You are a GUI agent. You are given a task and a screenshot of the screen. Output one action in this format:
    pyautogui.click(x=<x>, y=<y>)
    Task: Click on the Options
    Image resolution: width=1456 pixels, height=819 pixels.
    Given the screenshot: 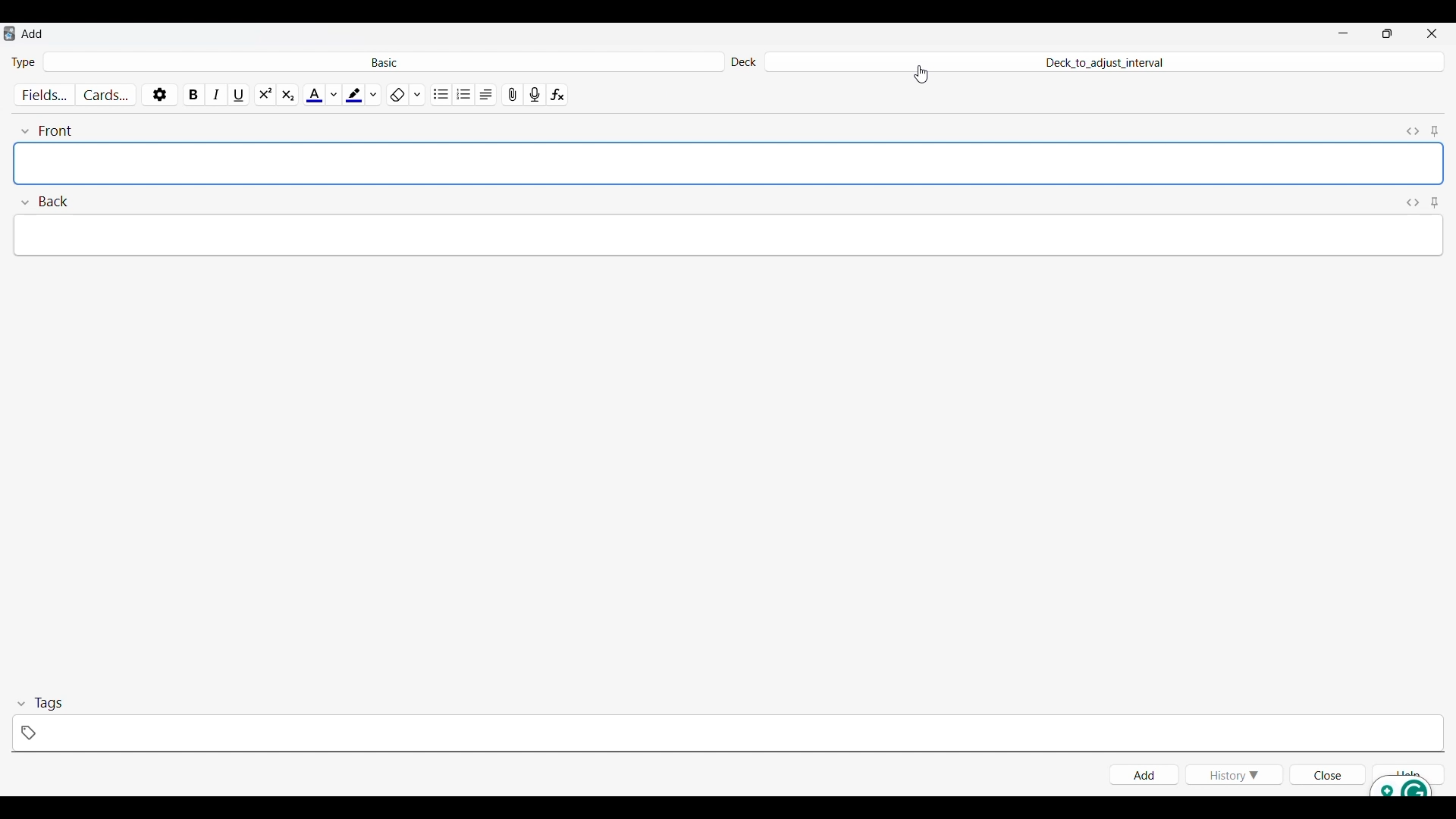 What is the action you would take?
    pyautogui.click(x=159, y=94)
    